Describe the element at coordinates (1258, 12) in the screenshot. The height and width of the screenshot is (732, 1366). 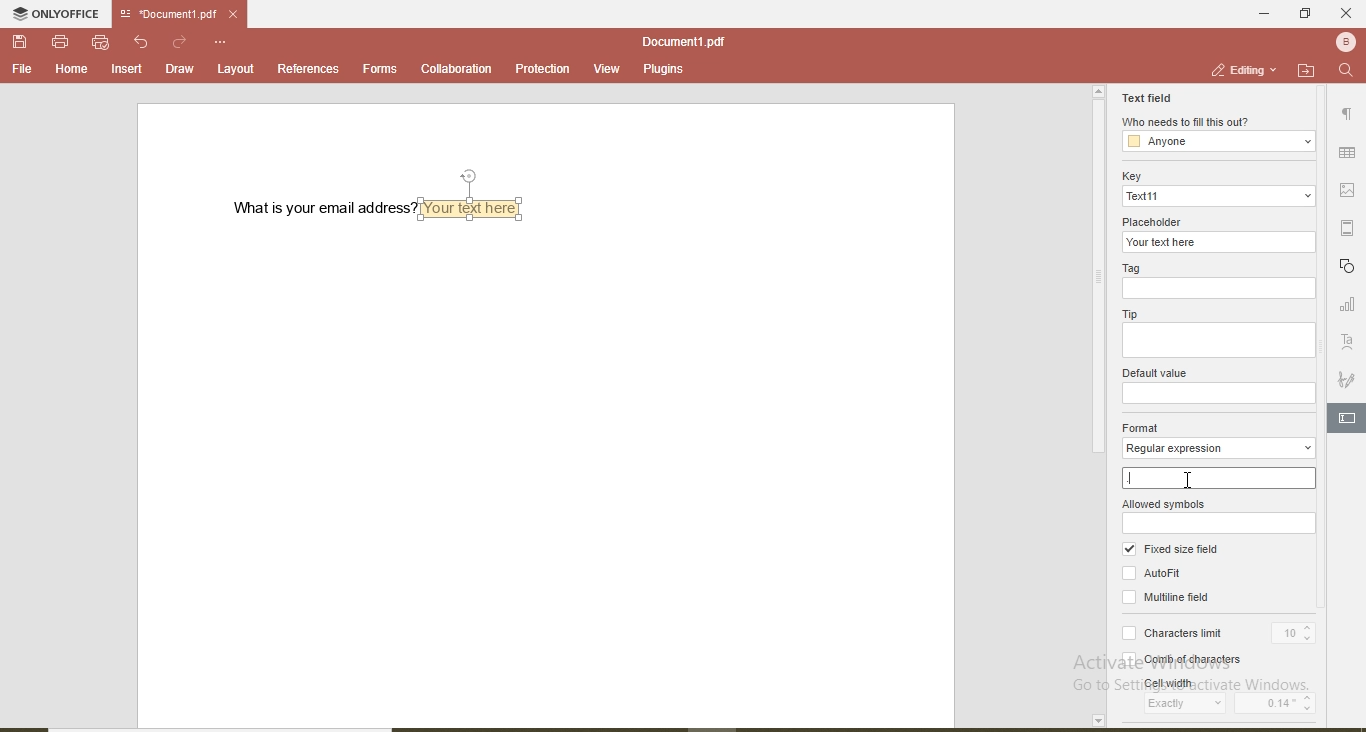
I see `minimise` at that location.